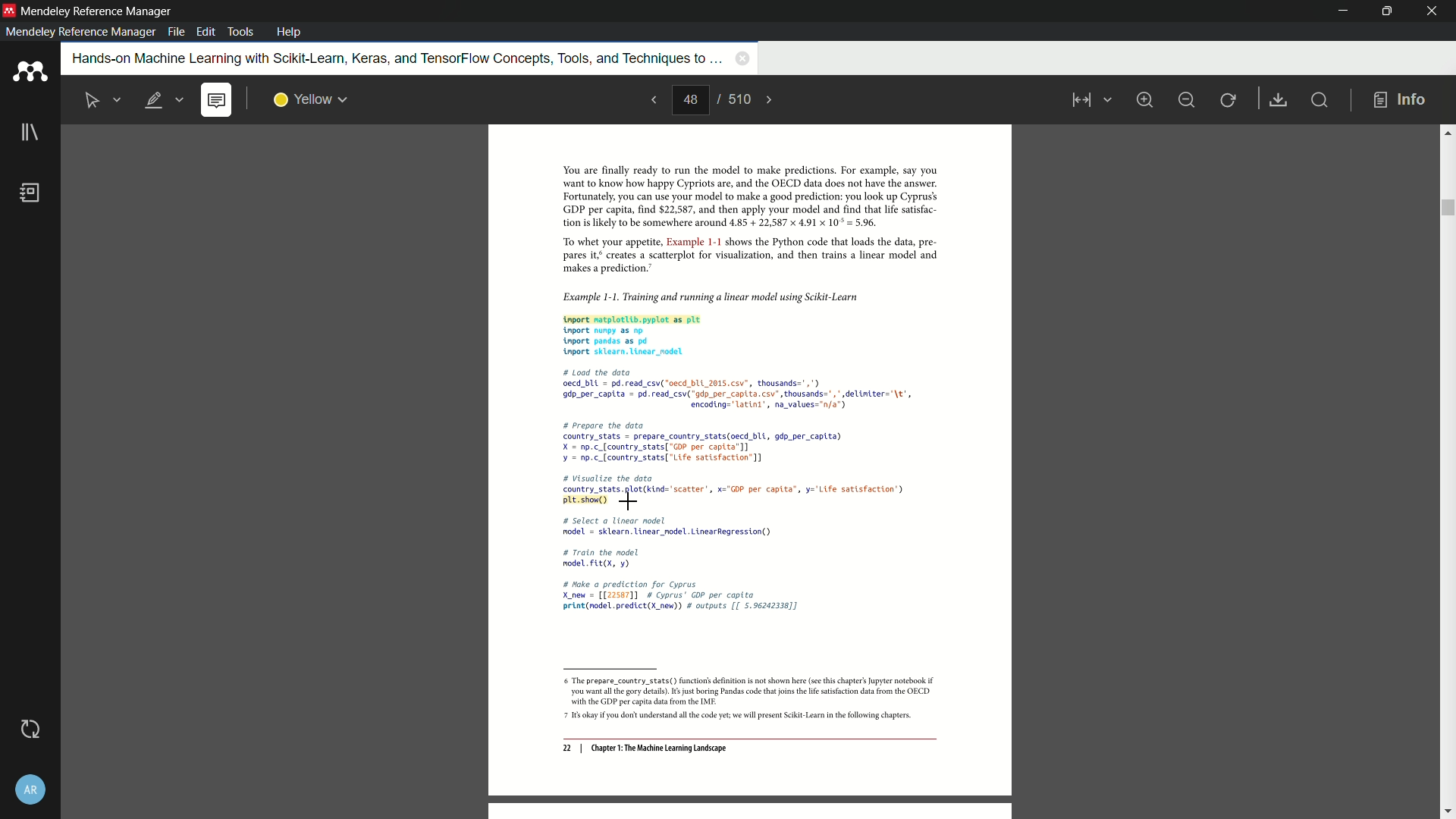 The width and height of the screenshot is (1456, 819). I want to click on close, so click(1433, 11).